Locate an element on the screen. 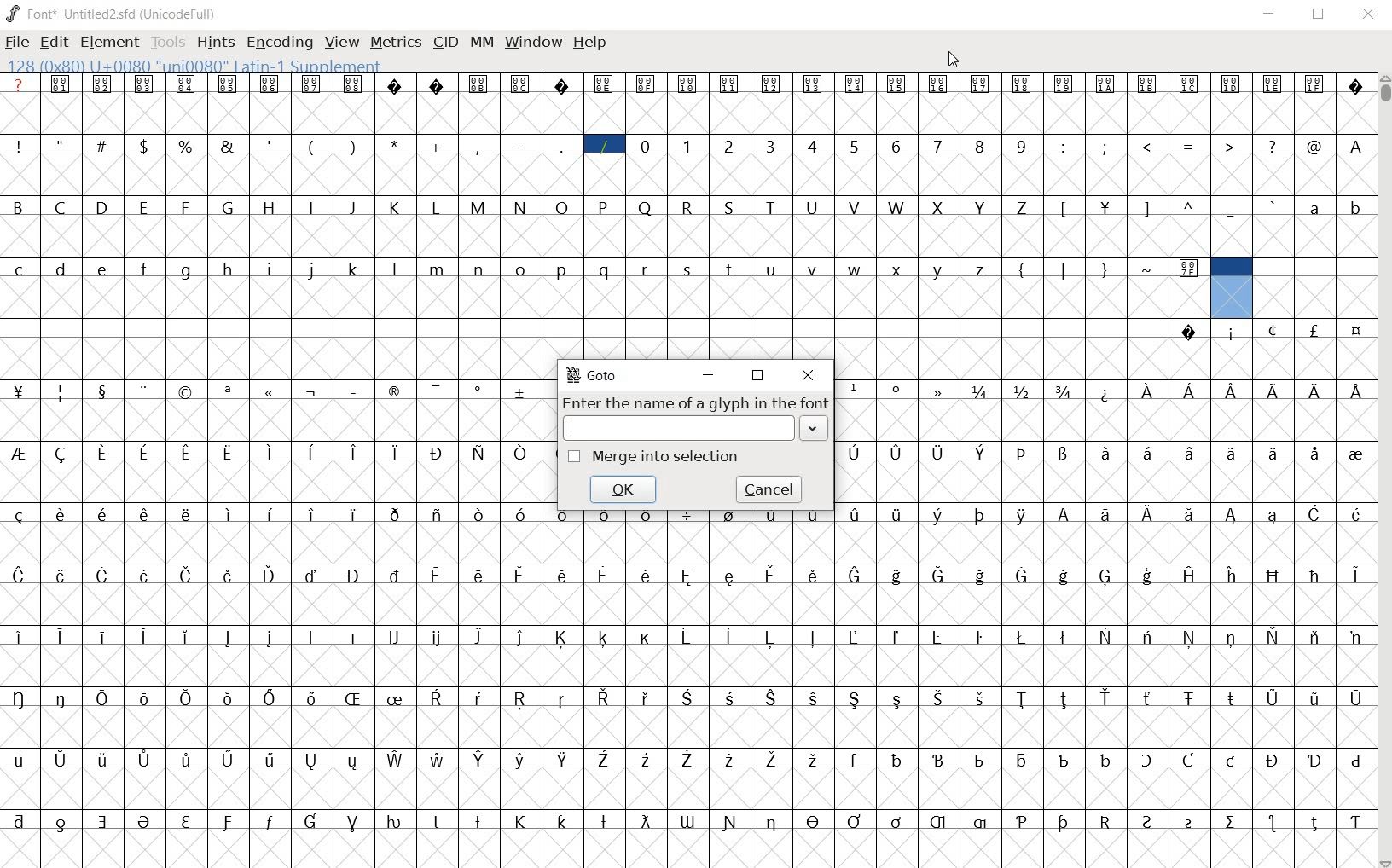 This screenshot has height=868, width=1392. Symbol is located at coordinates (815, 574).